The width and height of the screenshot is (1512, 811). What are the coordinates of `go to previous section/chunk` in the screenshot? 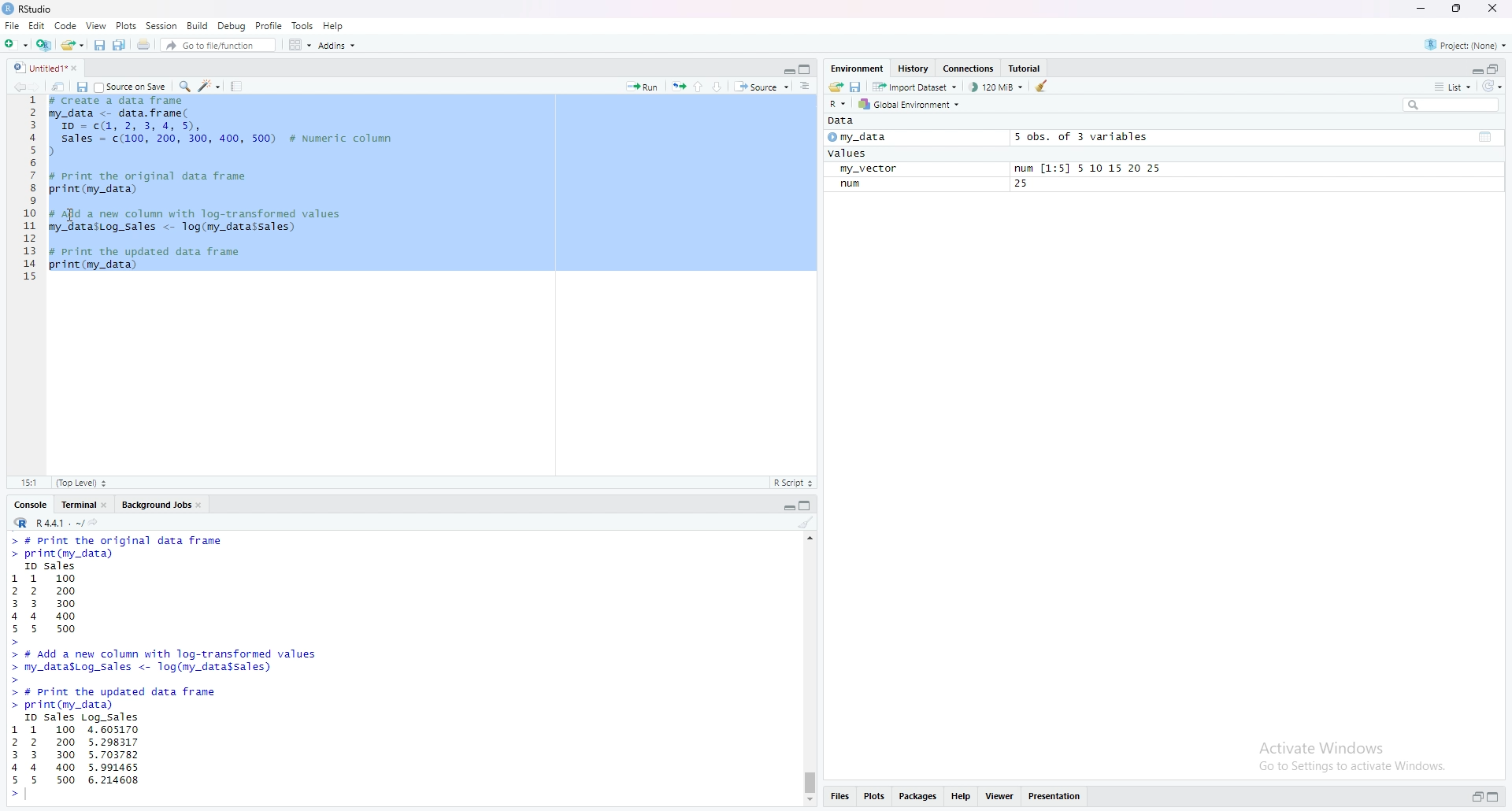 It's located at (701, 87).